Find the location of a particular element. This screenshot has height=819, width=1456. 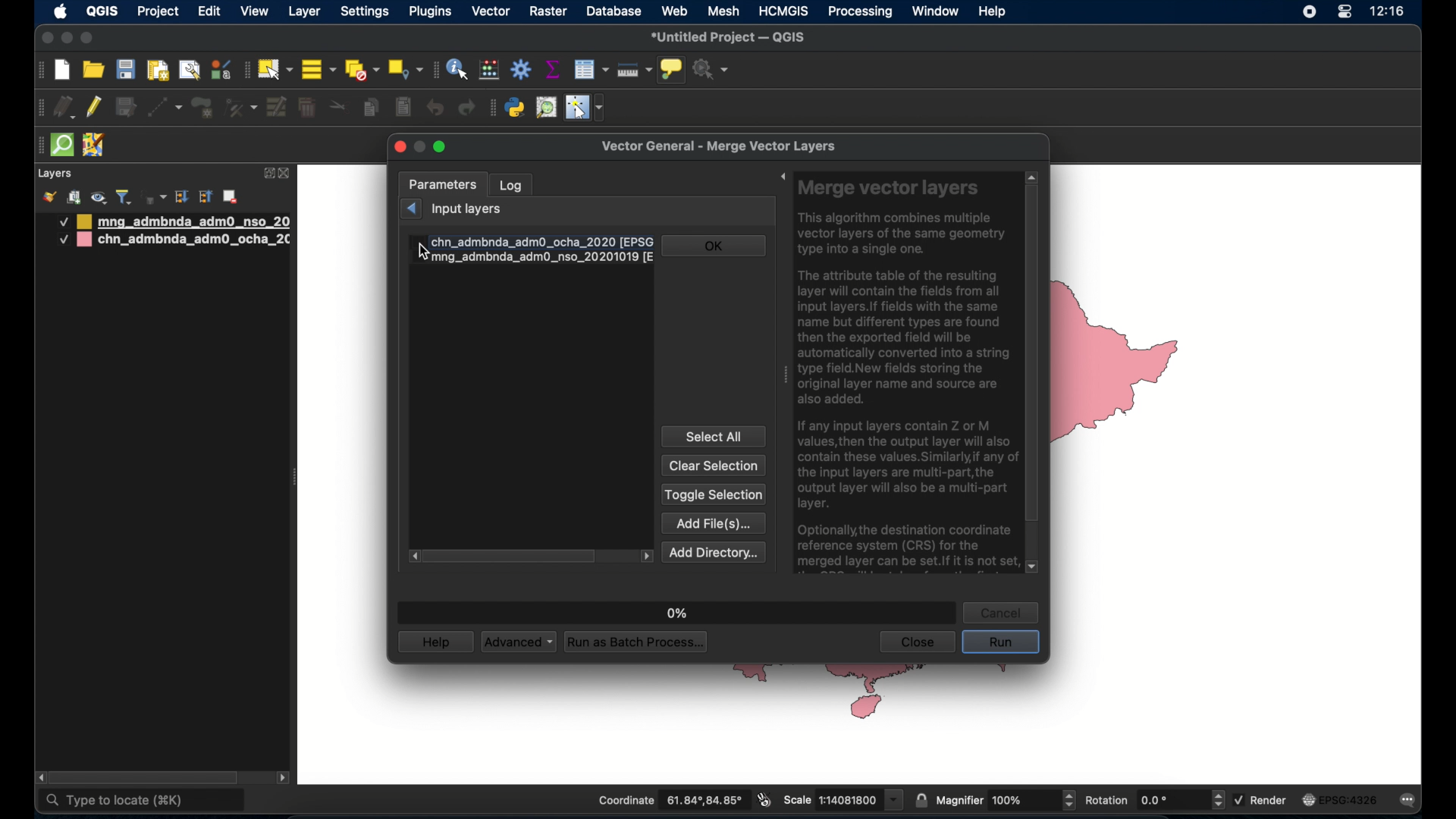

expand is located at coordinates (778, 178).